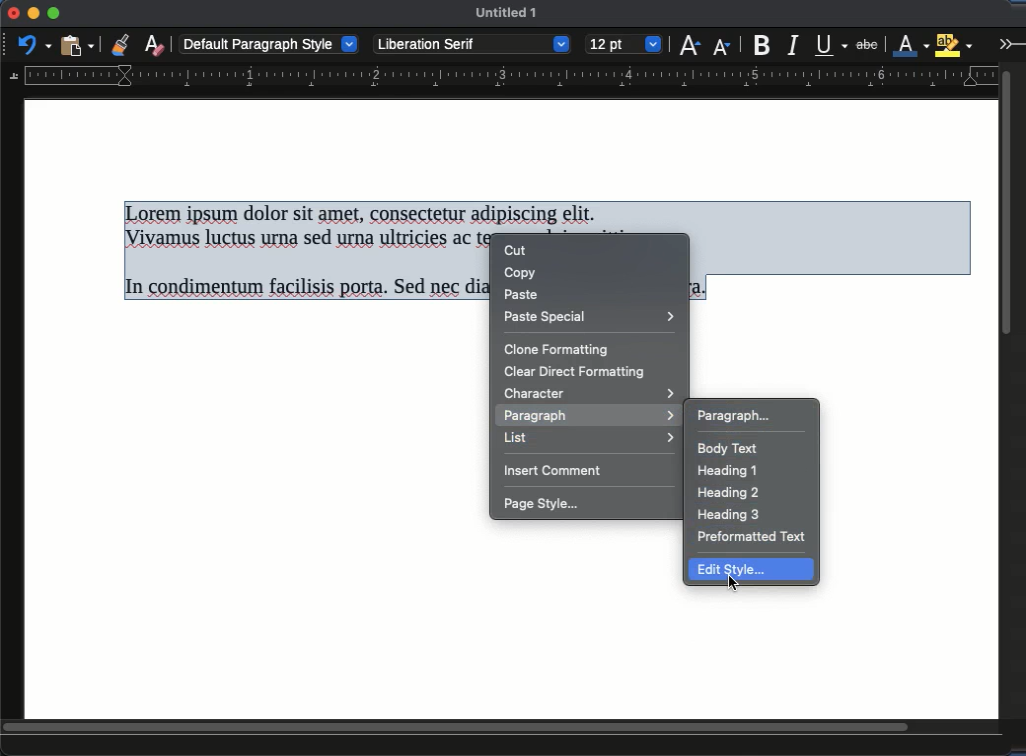 The image size is (1026, 756). I want to click on paste, so click(522, 295).